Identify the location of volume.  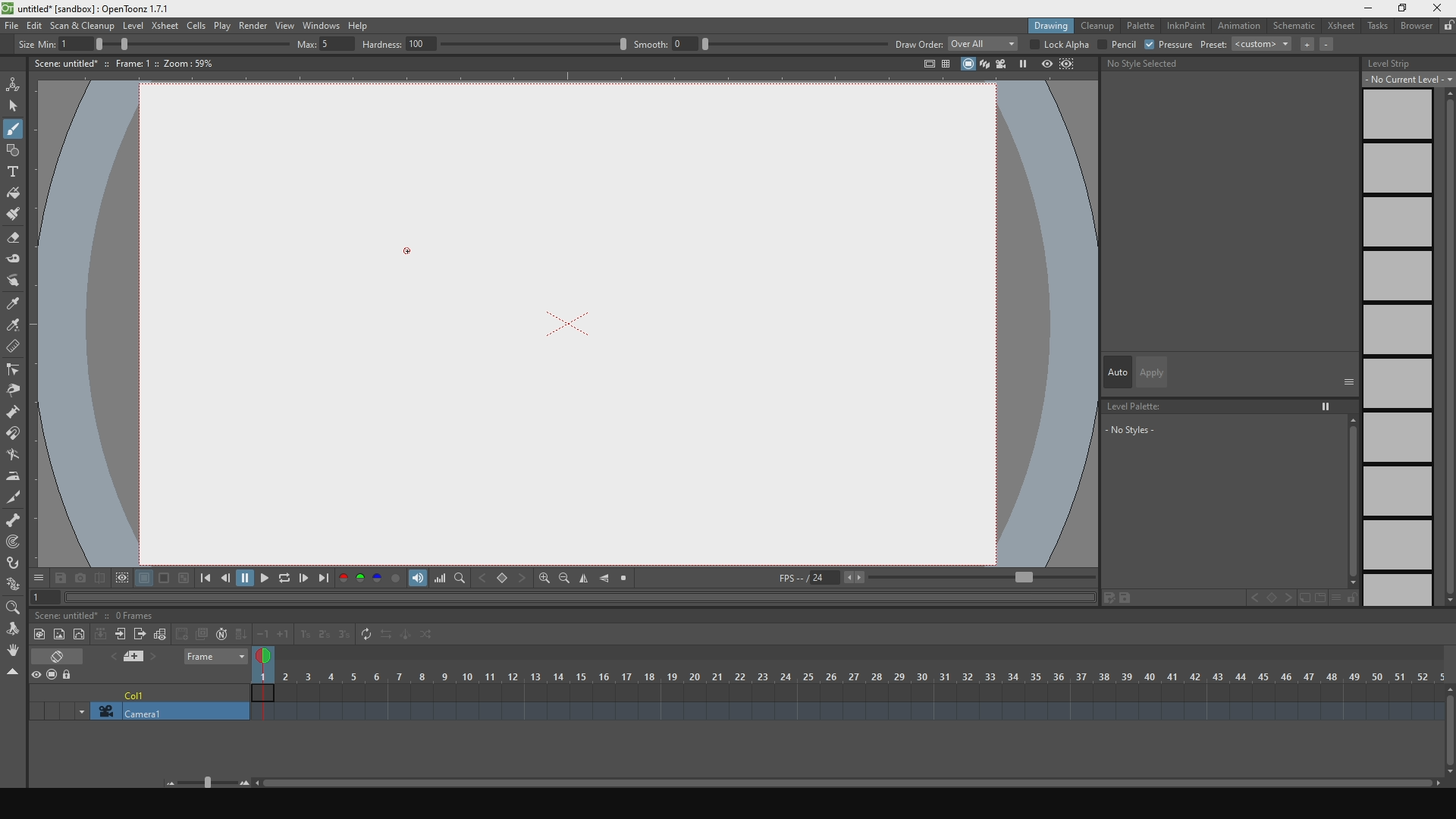
(441, 578).